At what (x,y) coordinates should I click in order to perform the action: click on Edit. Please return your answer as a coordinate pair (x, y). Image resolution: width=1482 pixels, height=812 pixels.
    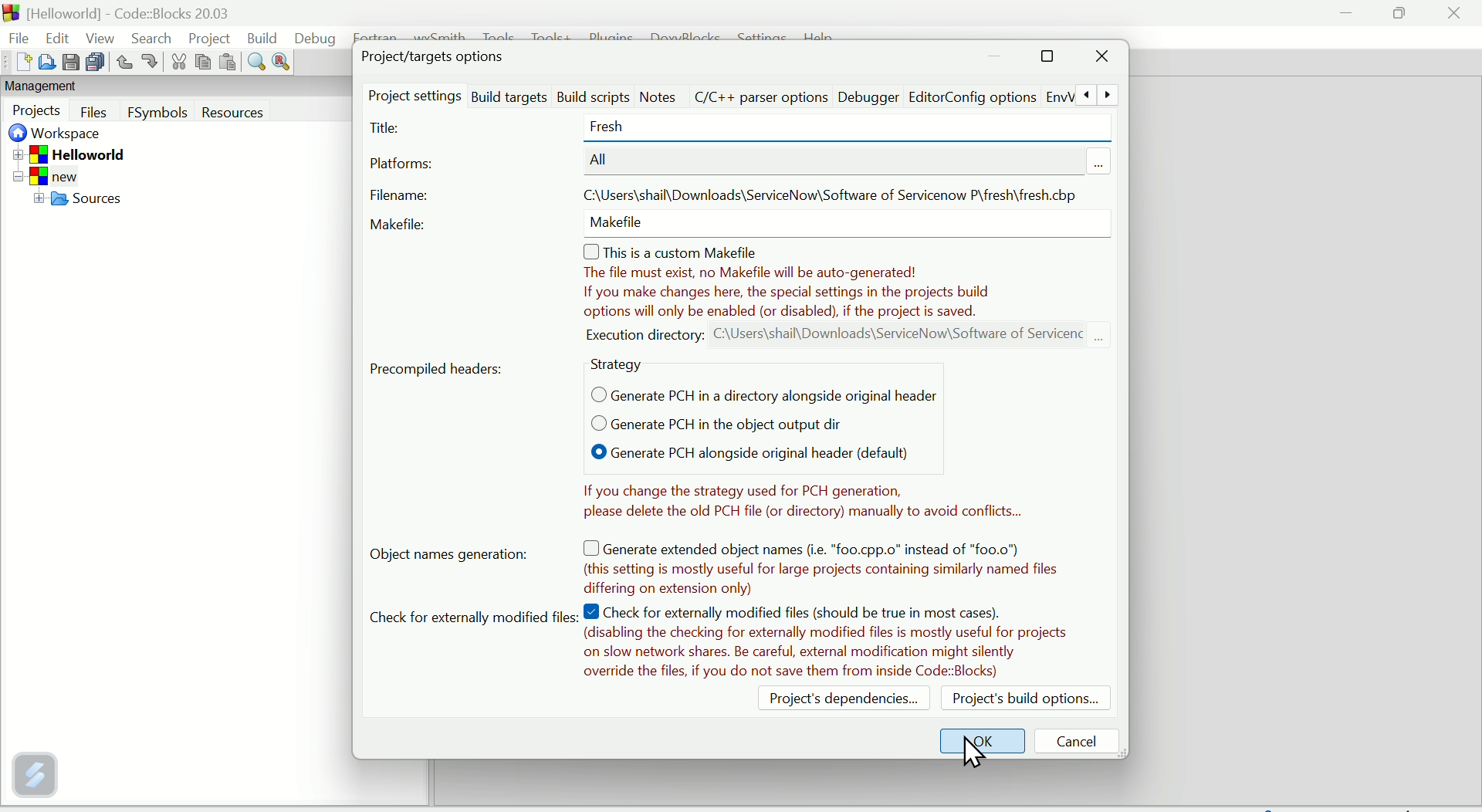
    Looking at the image, I should click on (51, 34).